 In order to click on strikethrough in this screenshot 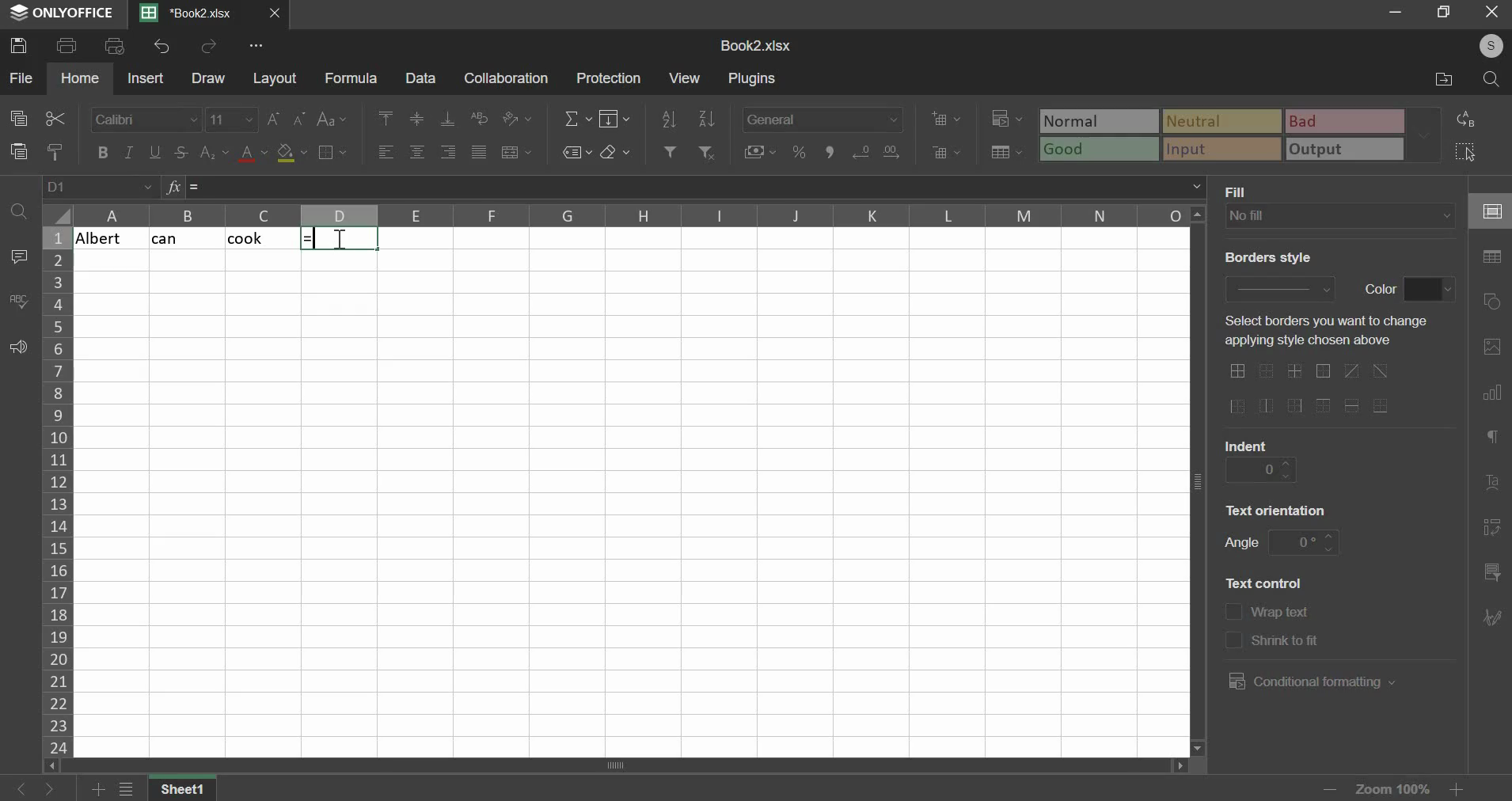, I will do `click(180, 152)`.